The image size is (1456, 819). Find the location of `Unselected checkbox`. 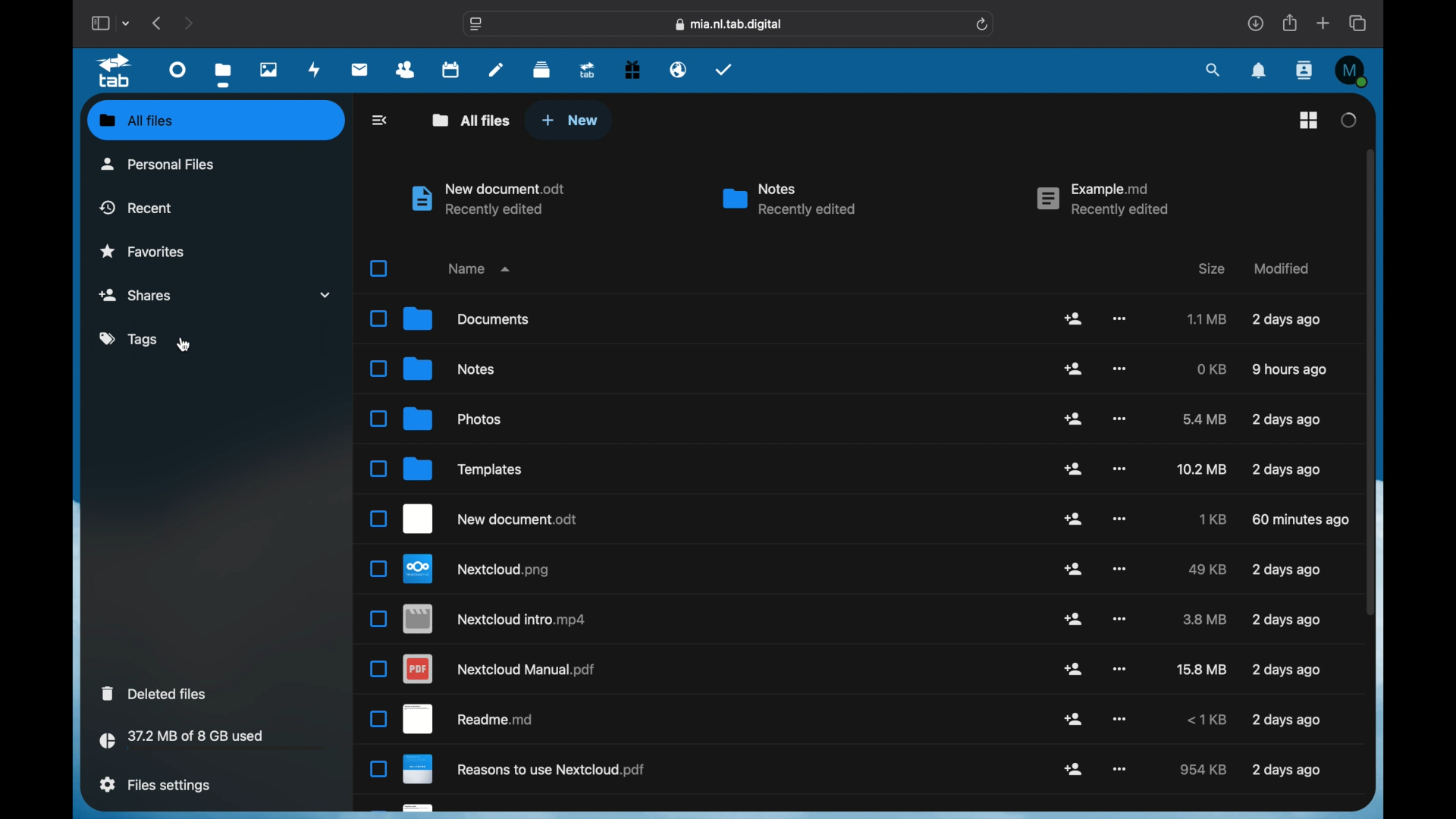

Unselected checkbox is located at coordinates (378, 469).